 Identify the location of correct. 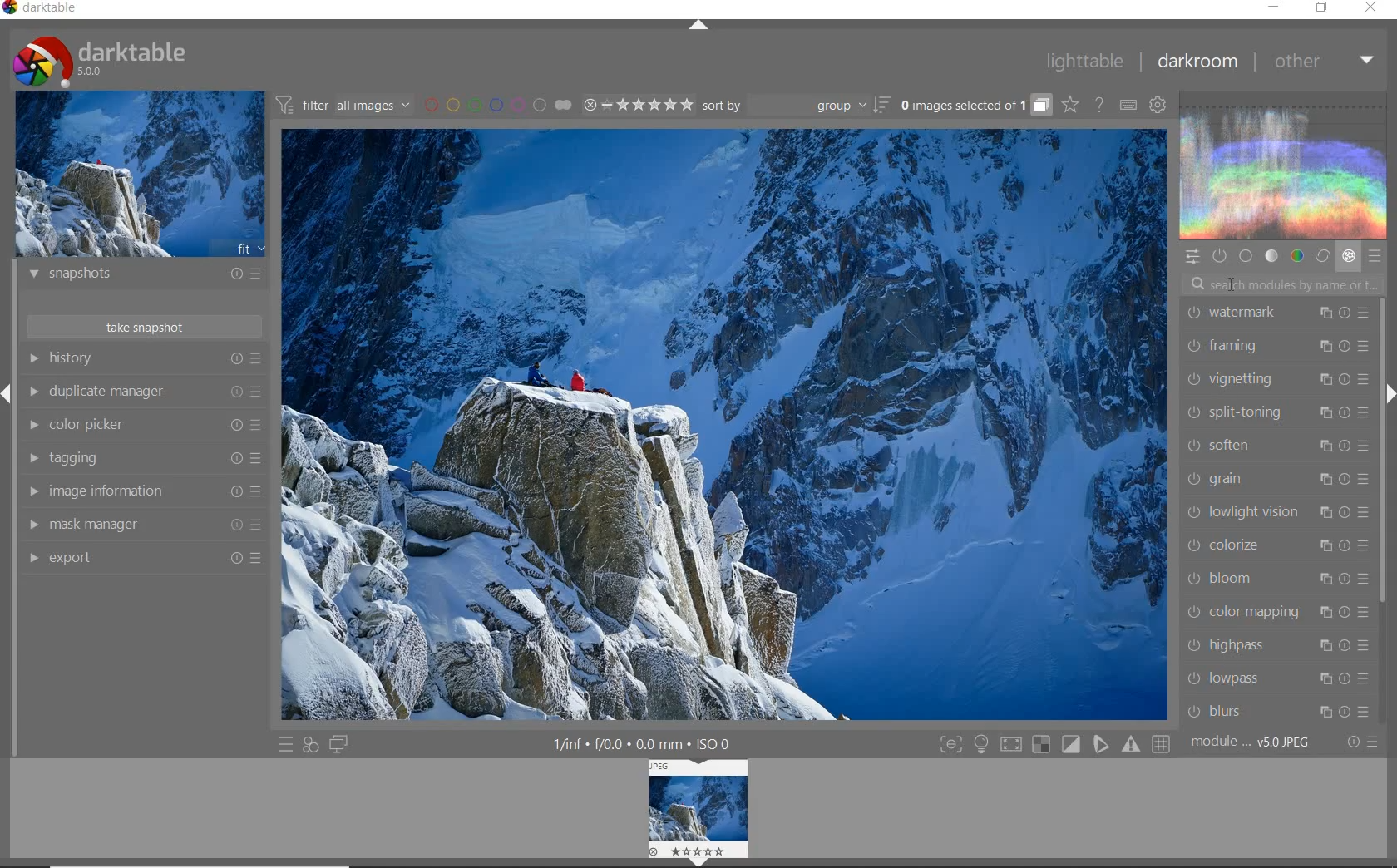
(1322, 255).